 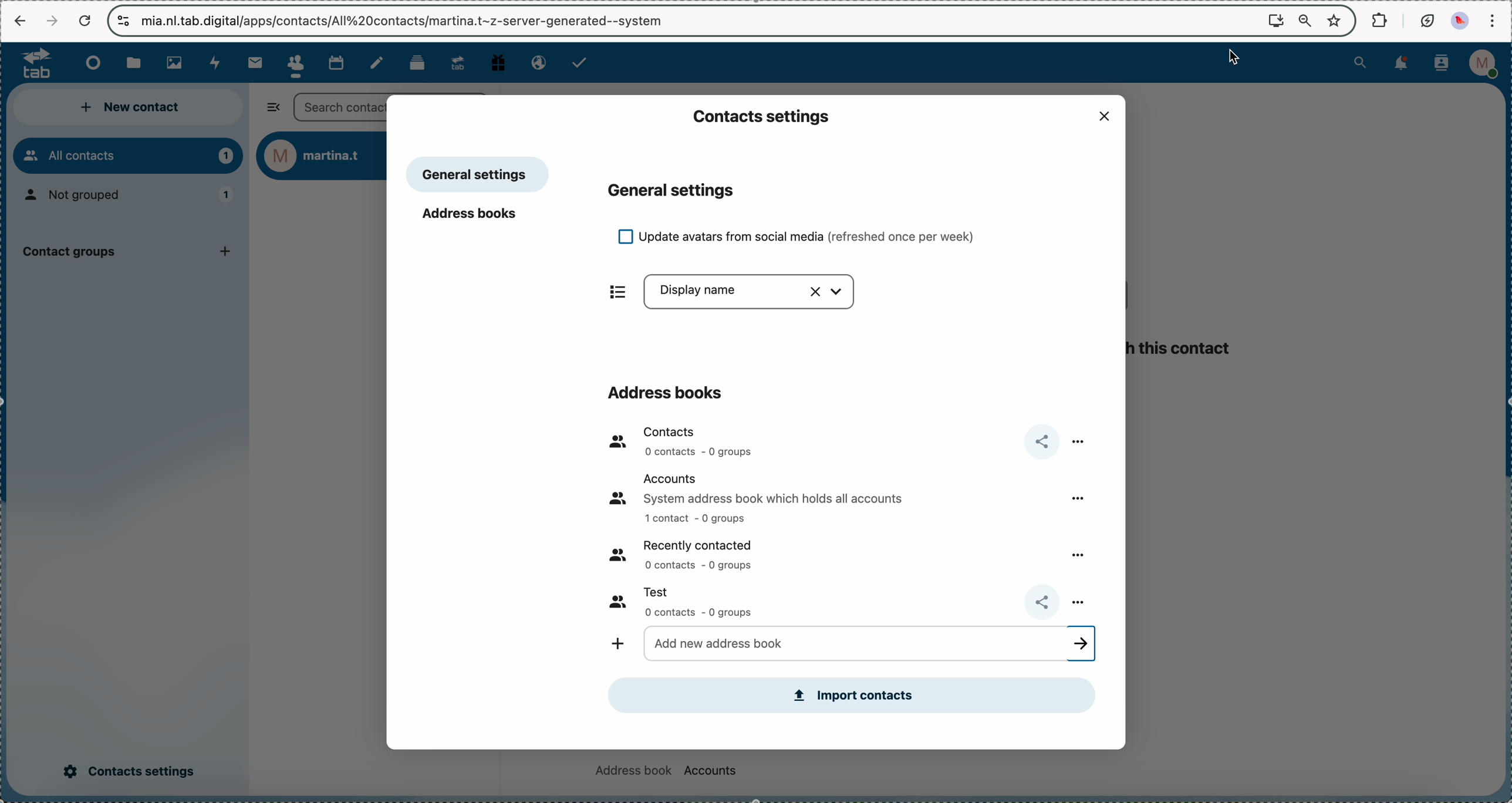 What do you see at coordinates (497, 61) in the screenshot?
I see `free track` at bounding box center [497, 61].